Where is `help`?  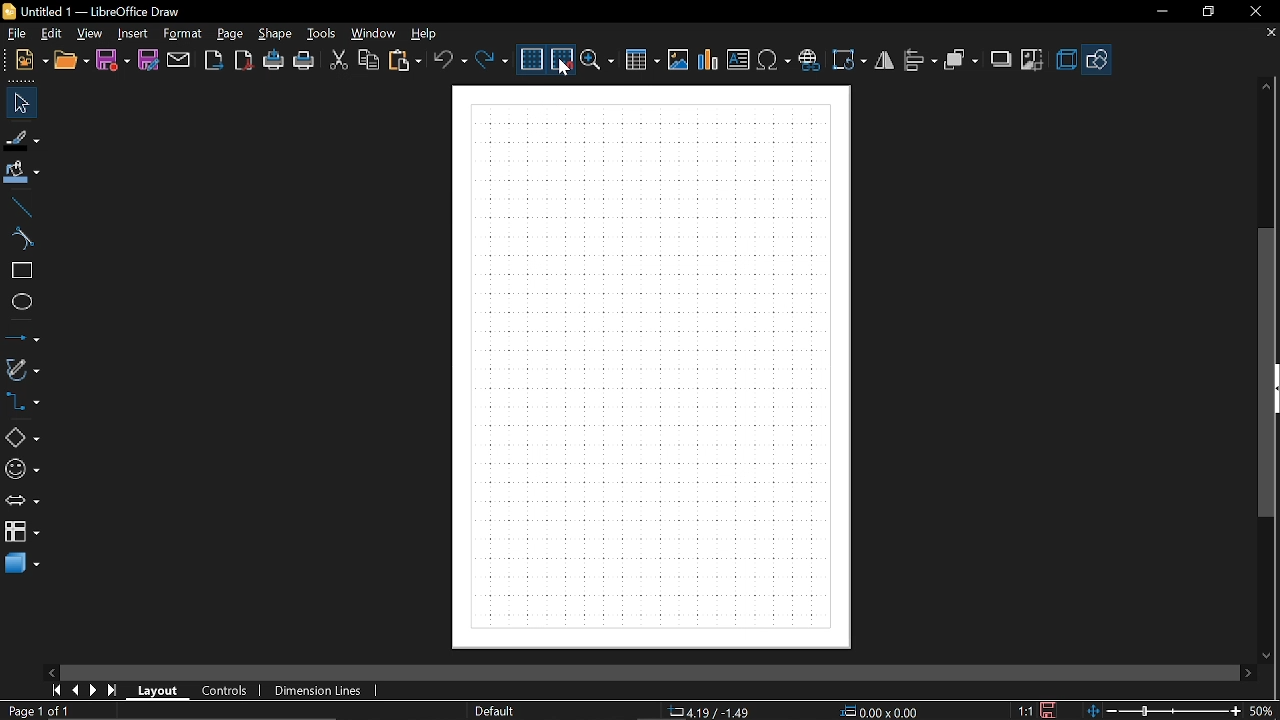 help is located at coordinates (426, 35).